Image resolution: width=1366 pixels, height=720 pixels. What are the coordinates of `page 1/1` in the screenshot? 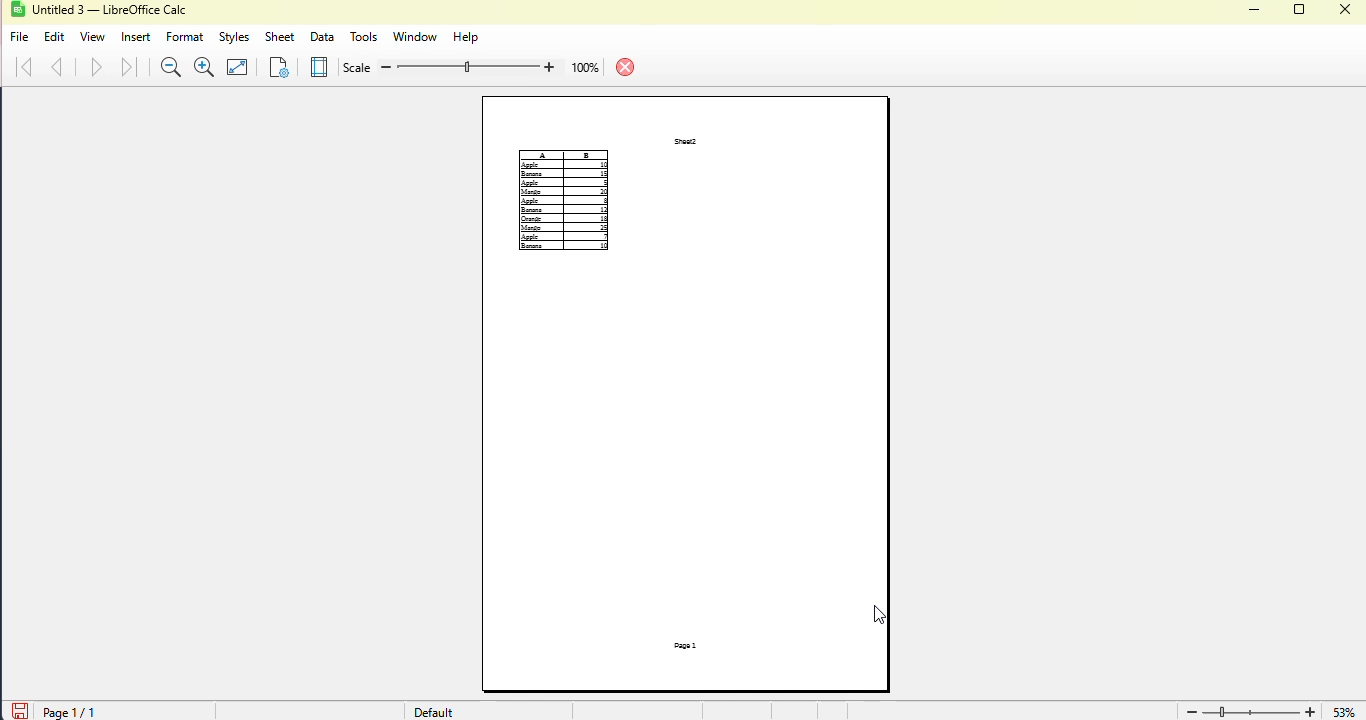 It's located at (102, 709).